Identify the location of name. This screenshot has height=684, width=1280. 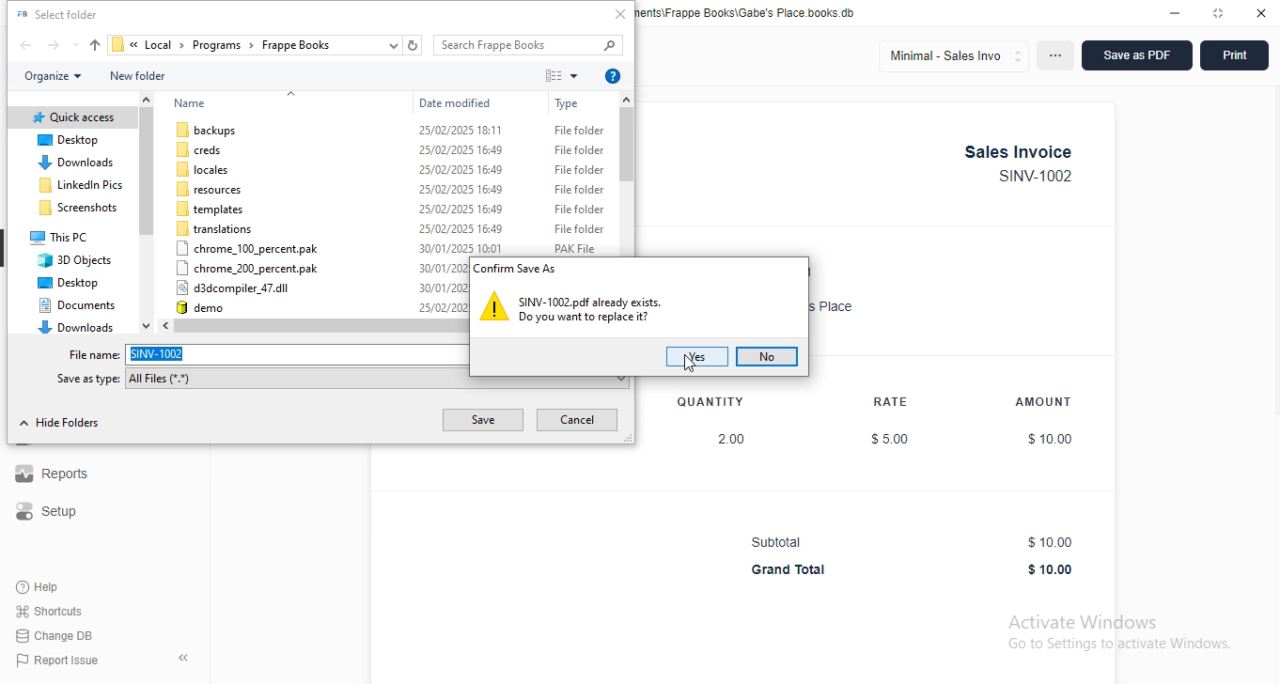
(190, 103).